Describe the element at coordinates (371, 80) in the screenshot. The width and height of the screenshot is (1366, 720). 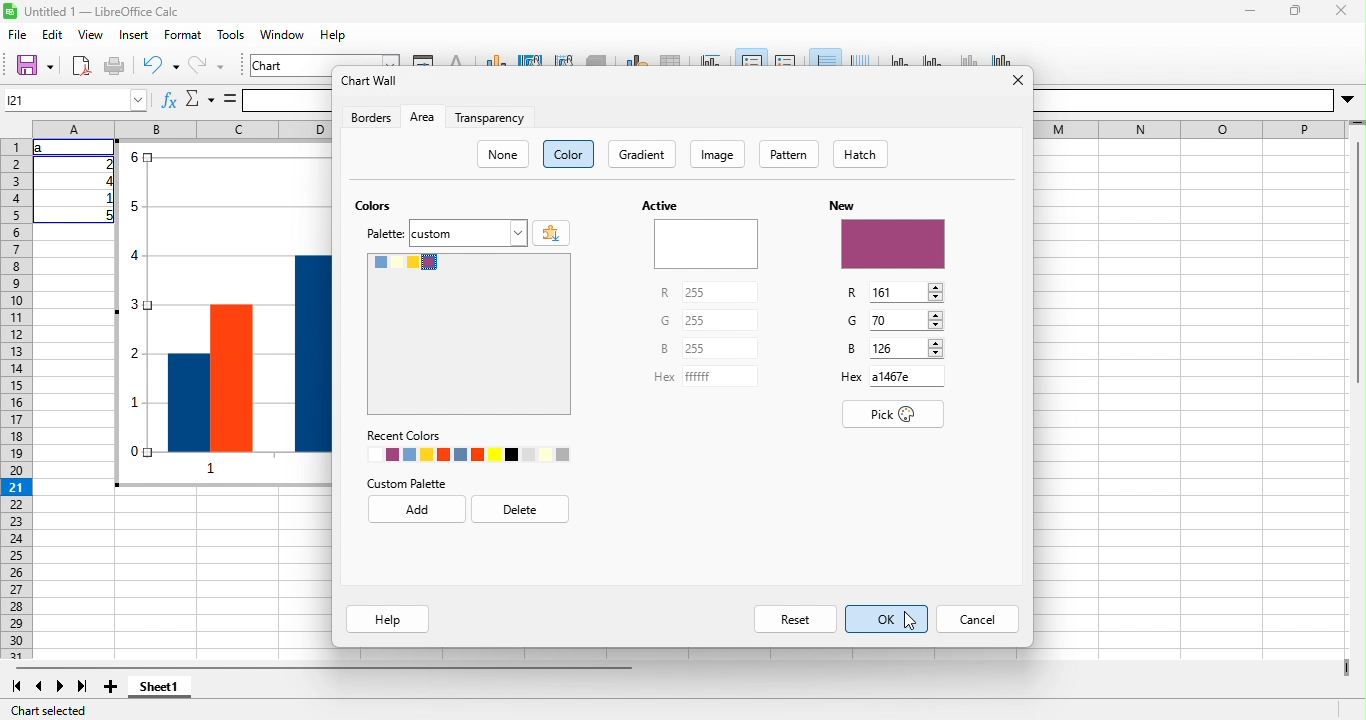
I see `chart wall` at that location.